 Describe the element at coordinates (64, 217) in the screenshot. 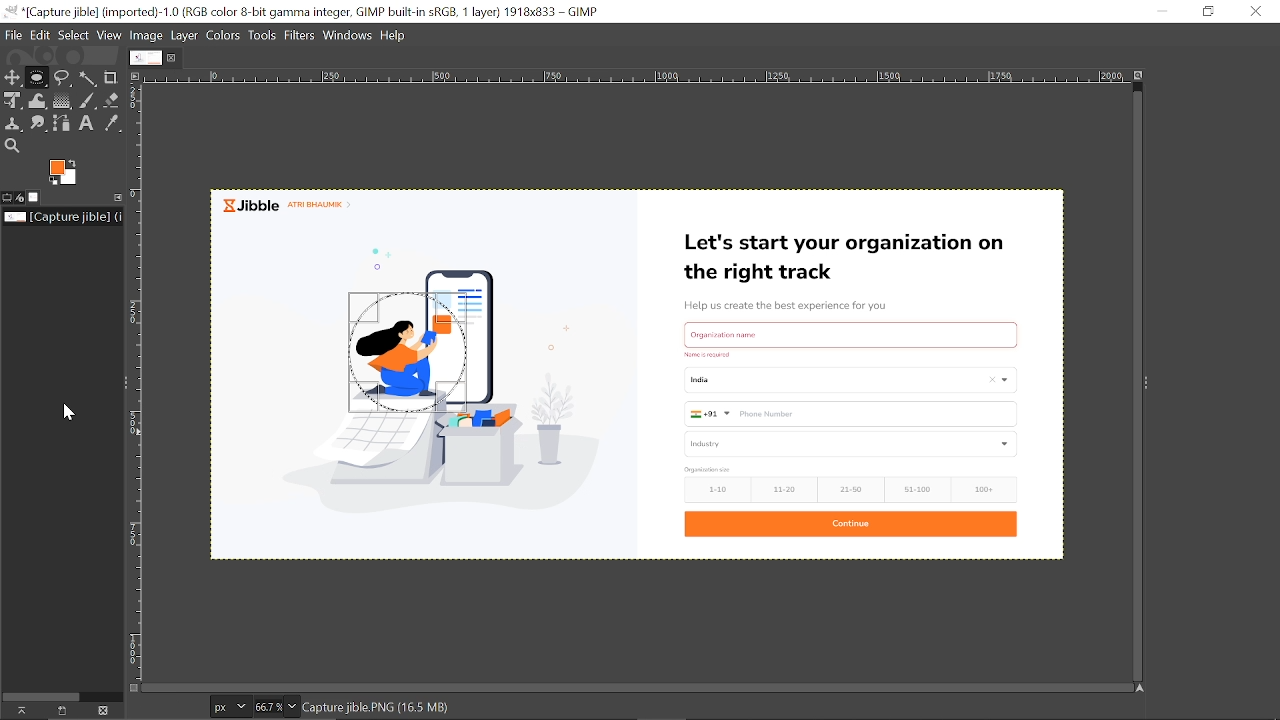

I see `Name of the current file` at that location.